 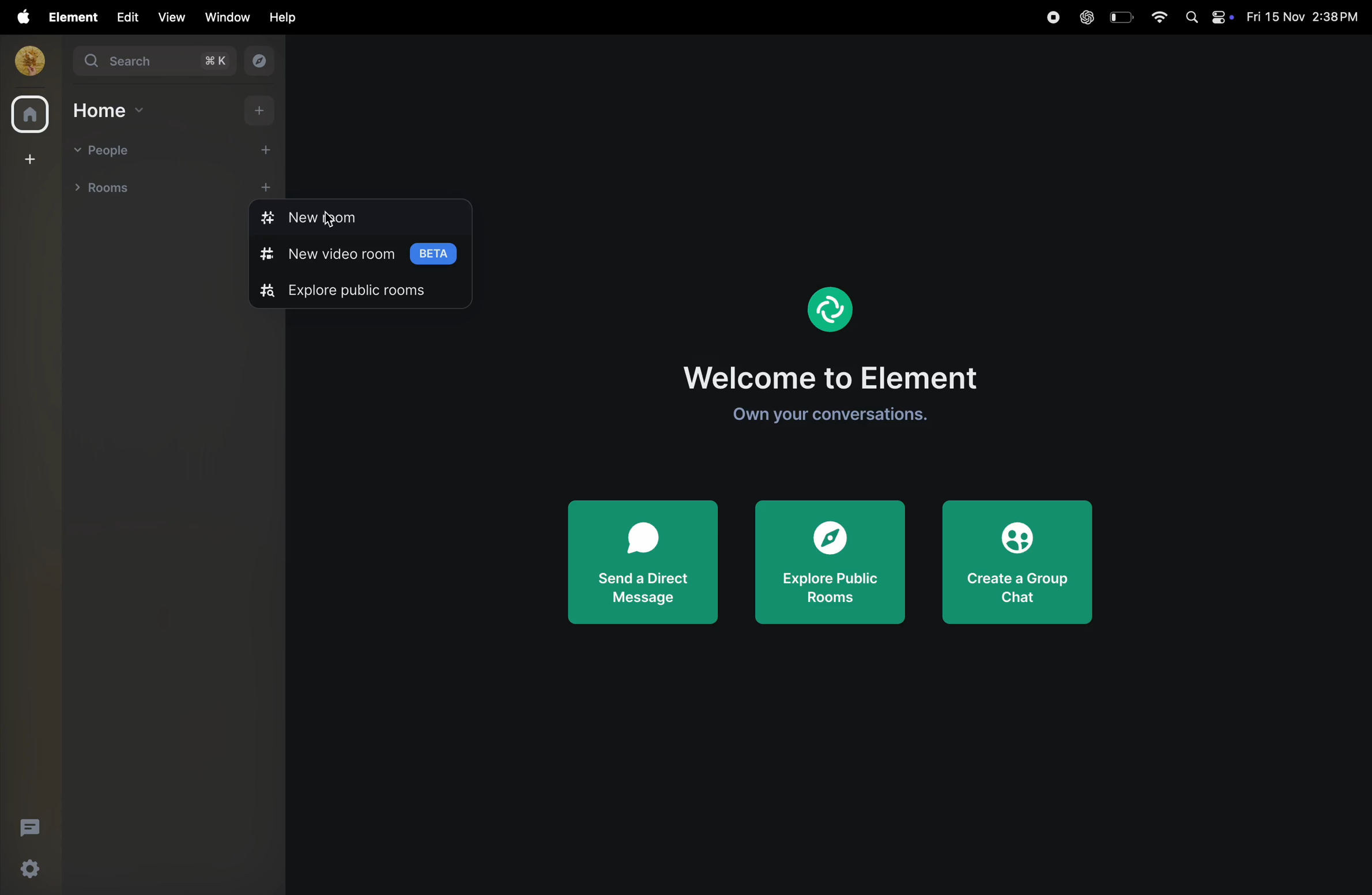 What do you see at coordinates (258, 149) in the screenshot?
I see `add people` at bounding box center [258, 149].